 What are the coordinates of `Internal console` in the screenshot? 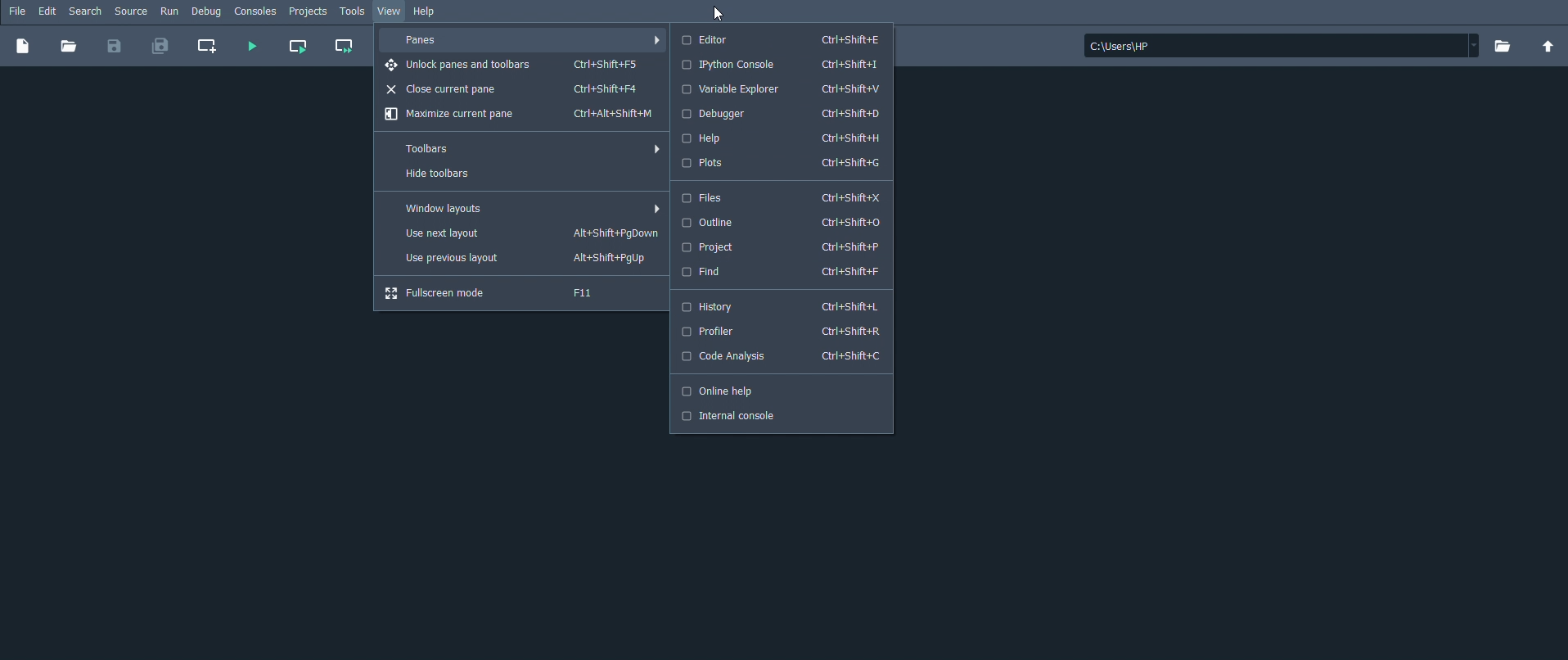 It's located at (781, 416).